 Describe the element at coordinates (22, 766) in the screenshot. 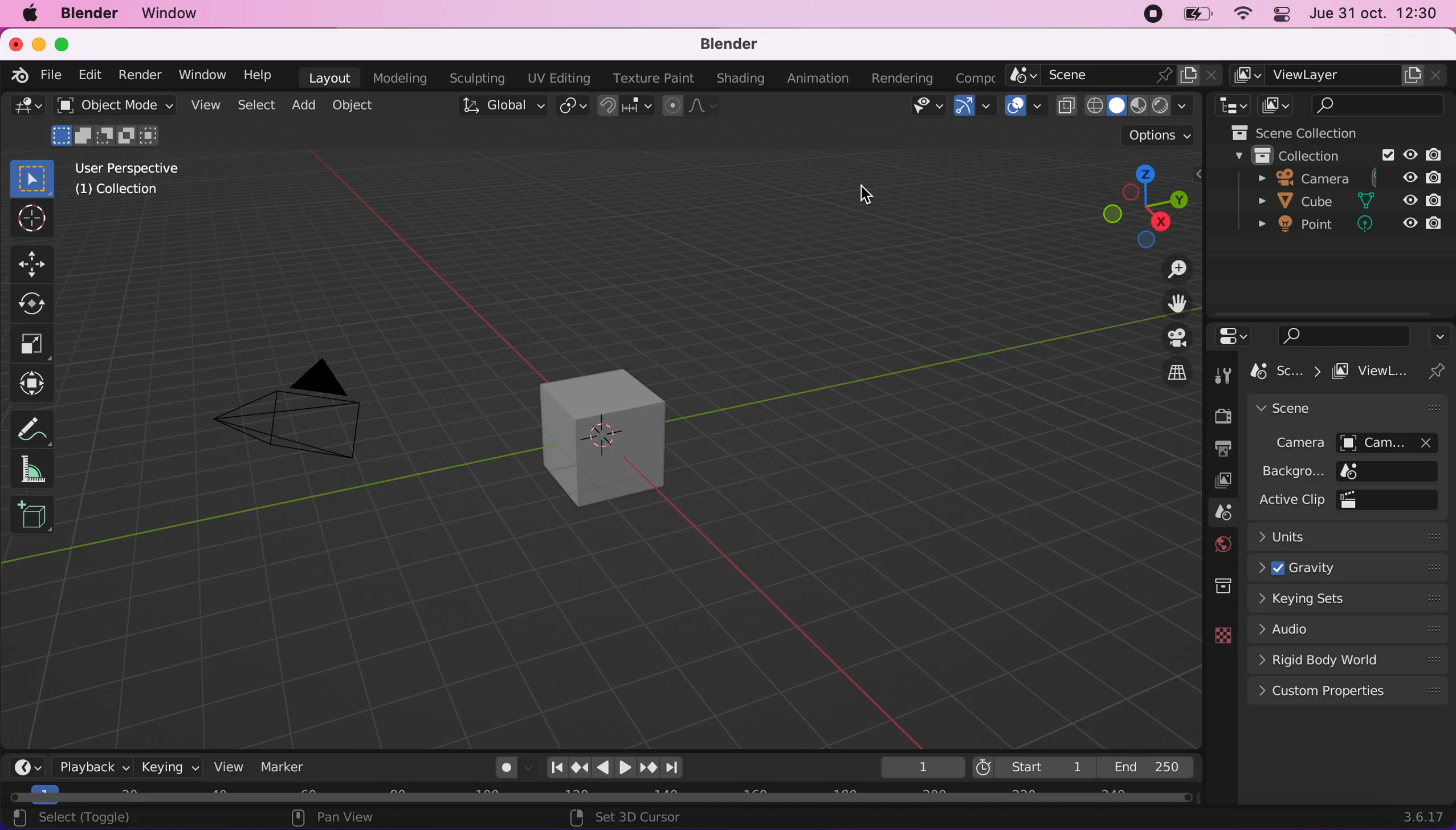

I see `editor type` at that location.